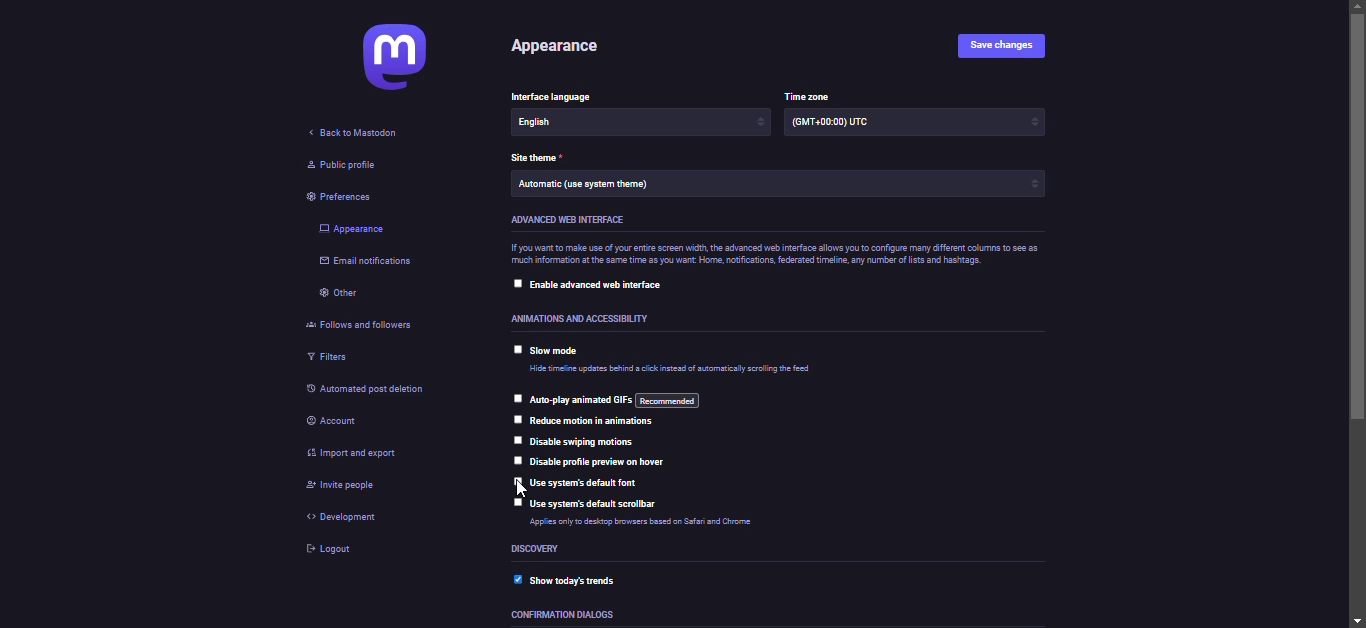  What do you see at coordinates (343, 516) in the screenshot?
I see `development` at bounding box center [343, 516].